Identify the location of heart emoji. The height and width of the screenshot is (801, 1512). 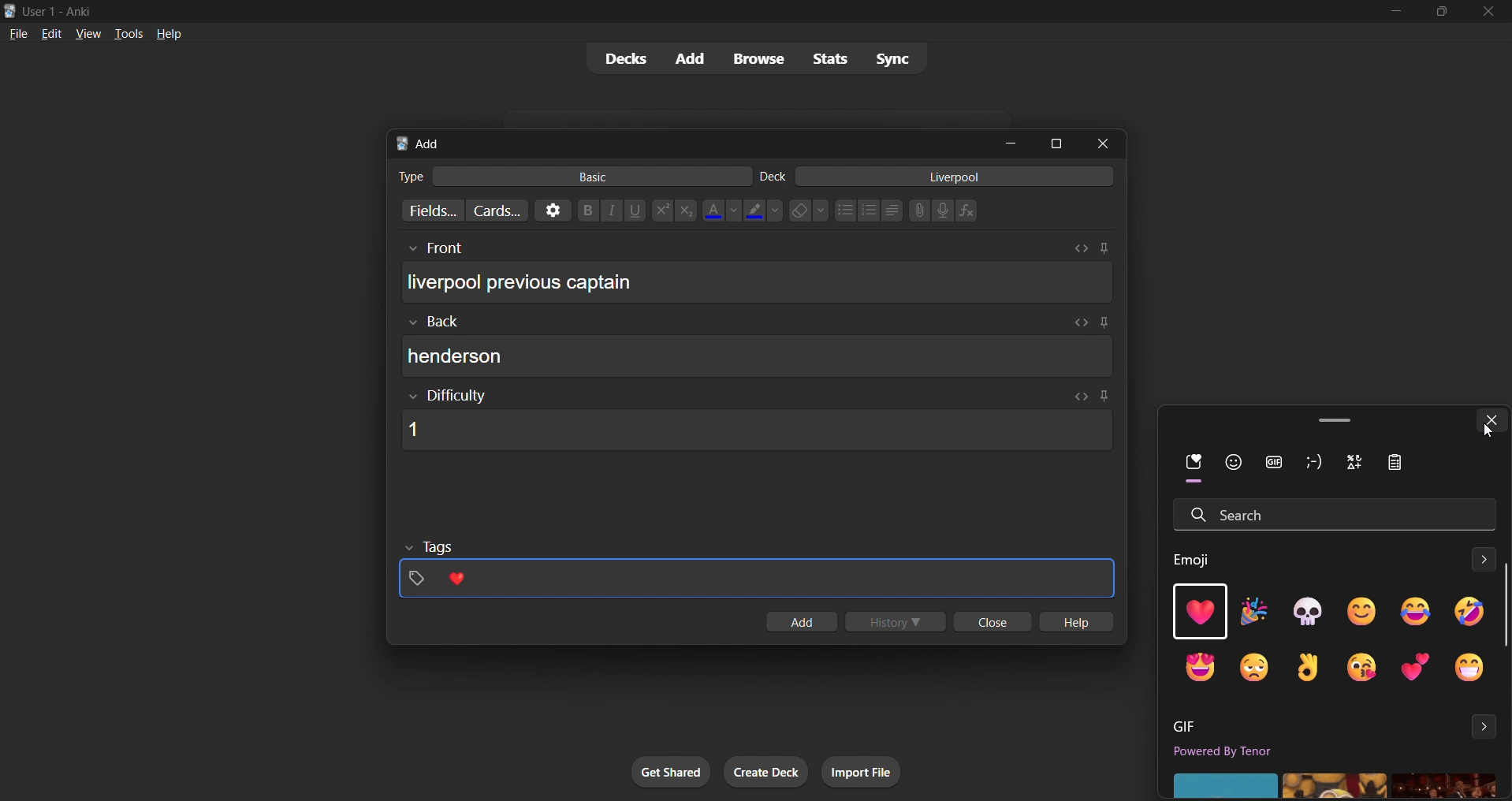
(1197, 613).